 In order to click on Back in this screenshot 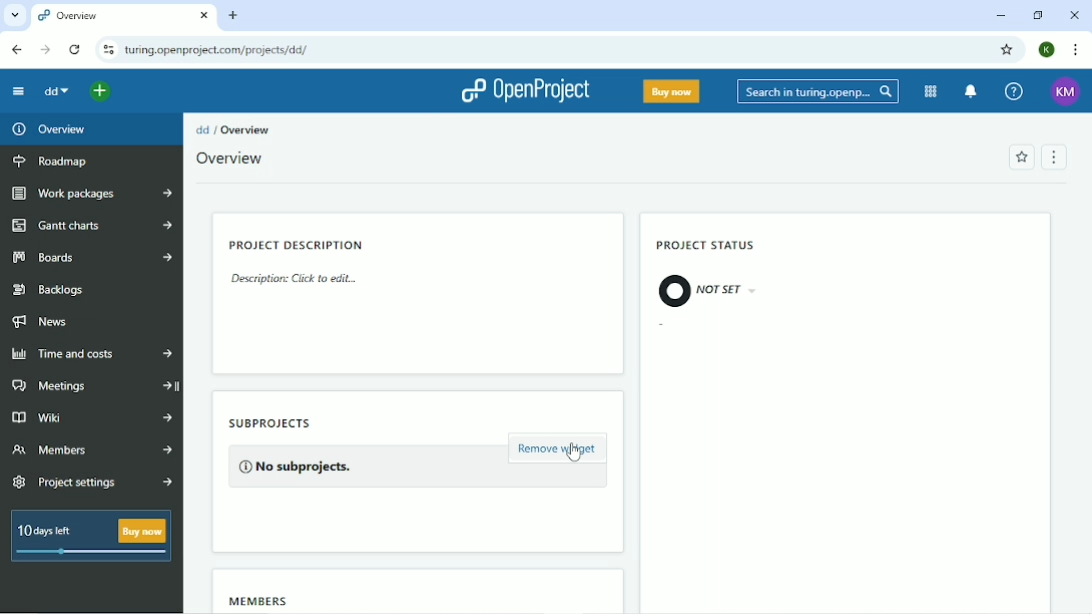, I will do `click(16, 50)`.